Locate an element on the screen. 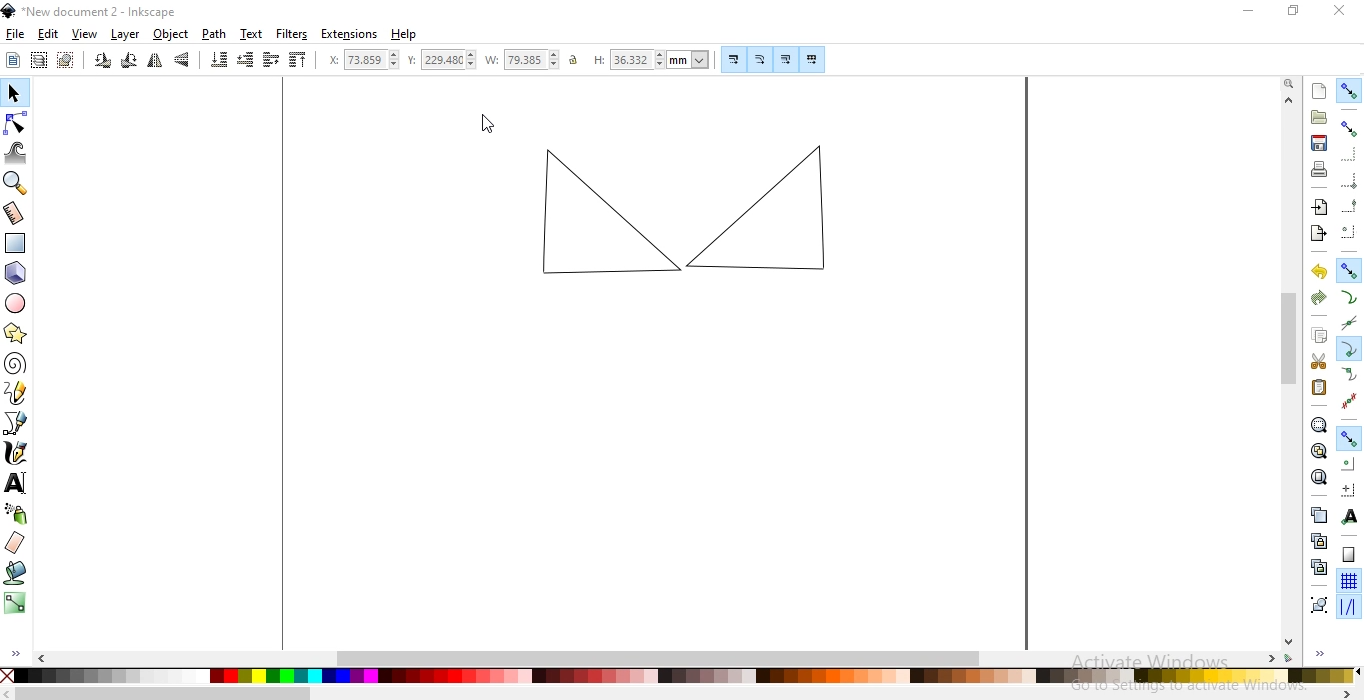 Image resolution: width=1364 pixels, height=700 pixels. snapping midpoints of bounding box edges is located at coordinates (1349, 204).